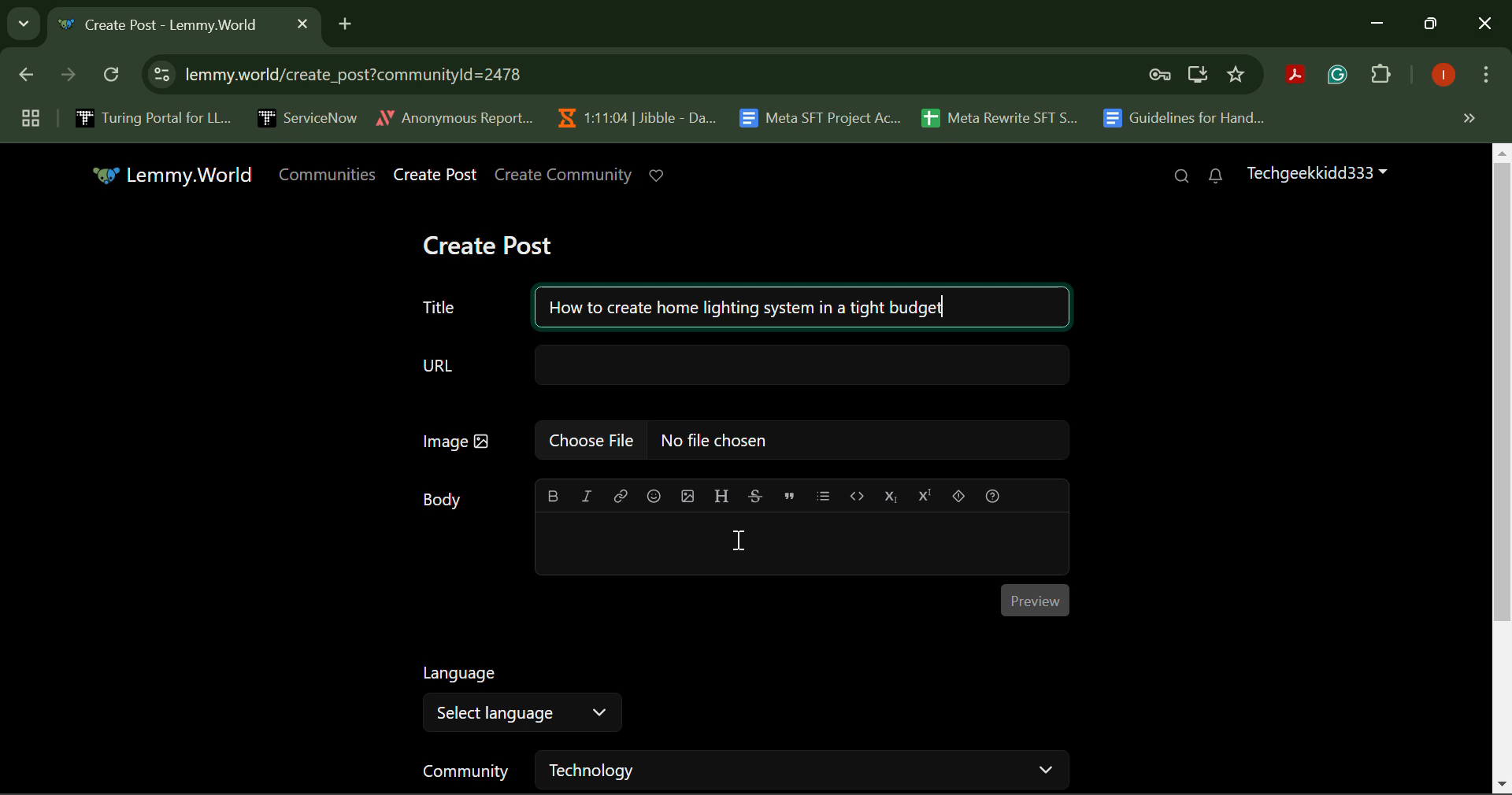 This screenshot has height=795, width=1512. What do you see at coordinates (741, 439) in the screenshot?
I see `Image Upload Box` at bounding box center [741, 439].